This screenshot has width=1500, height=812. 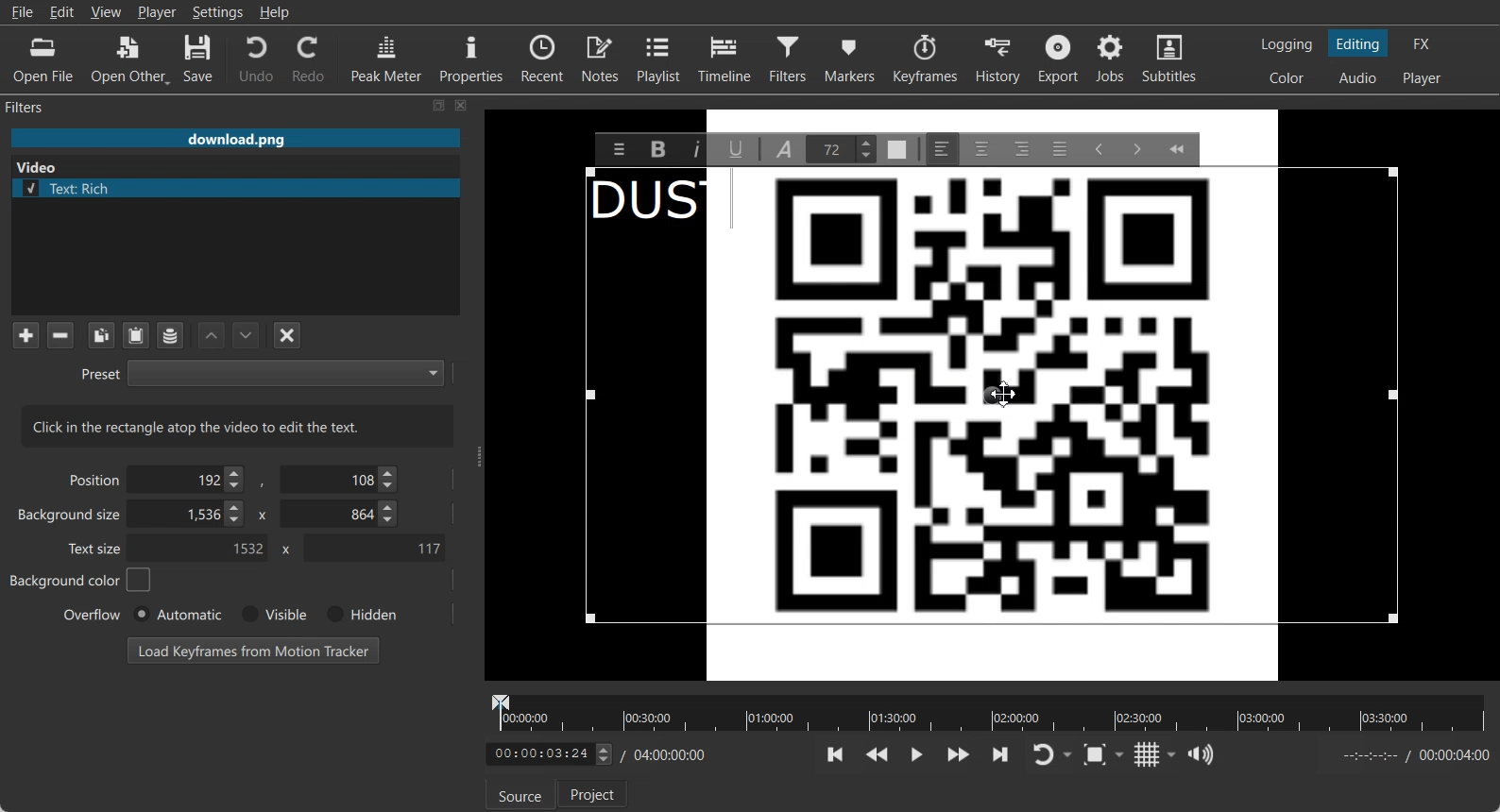 I want to click on Center, so click(x=981, y=148).